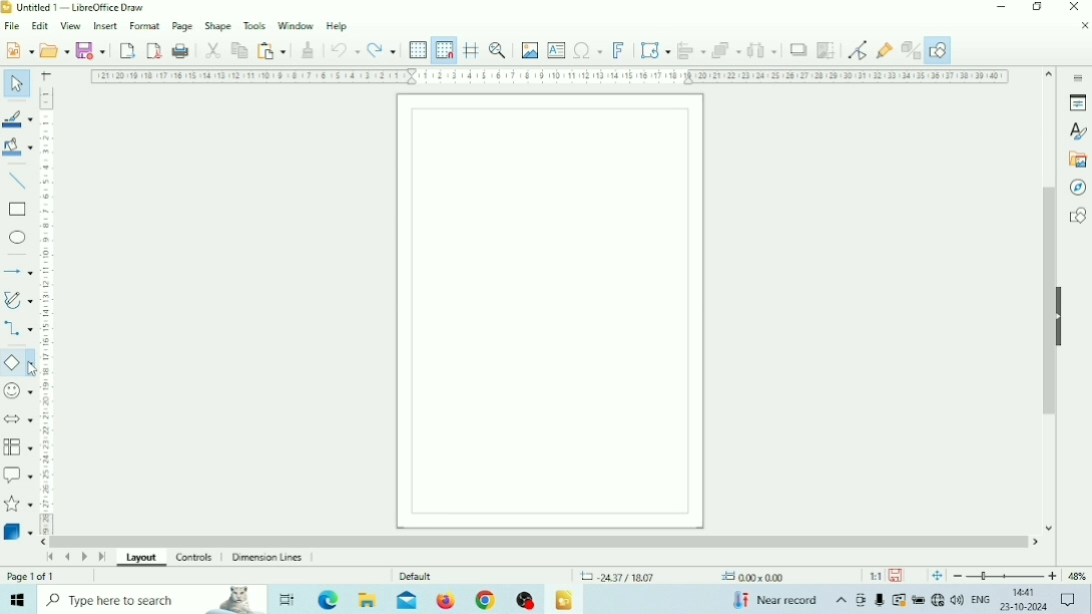 The width and height of the screenshot is (1092, 614). Describe the element at coordinates (841, 601) in the screenshot. I see `Show hidden icons` at that location.